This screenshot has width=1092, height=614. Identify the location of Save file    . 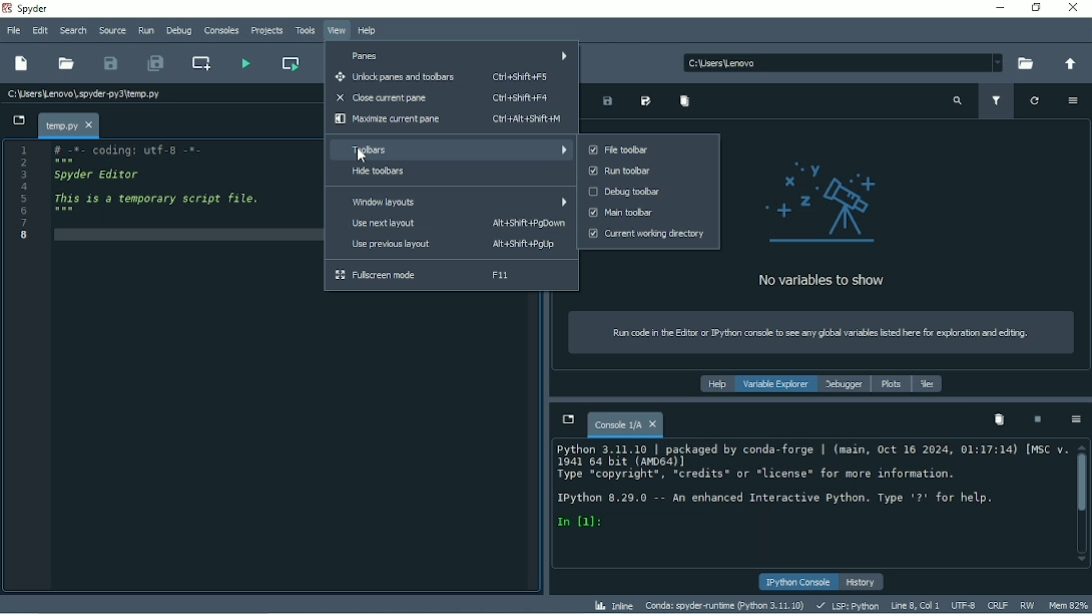
(111, 63).